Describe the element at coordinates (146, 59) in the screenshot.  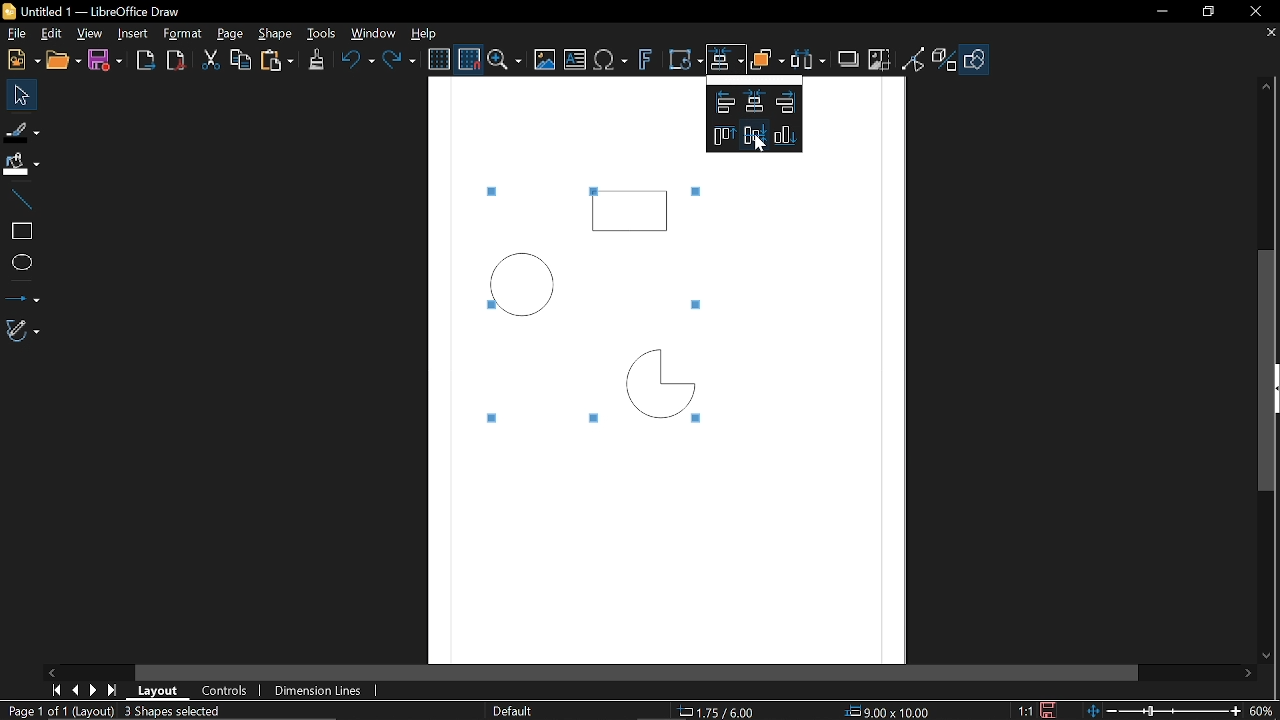
I see `Export` at that location.